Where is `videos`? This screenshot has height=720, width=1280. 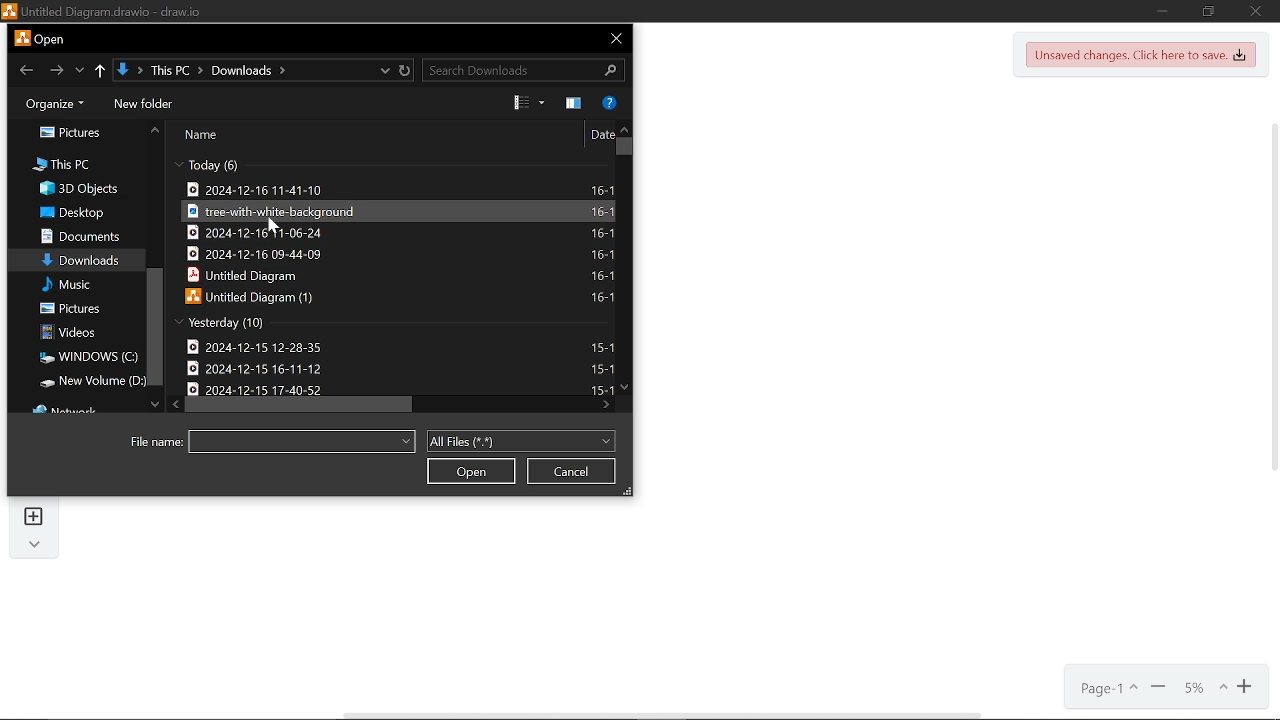 videos is located at coordinates (68, 332).